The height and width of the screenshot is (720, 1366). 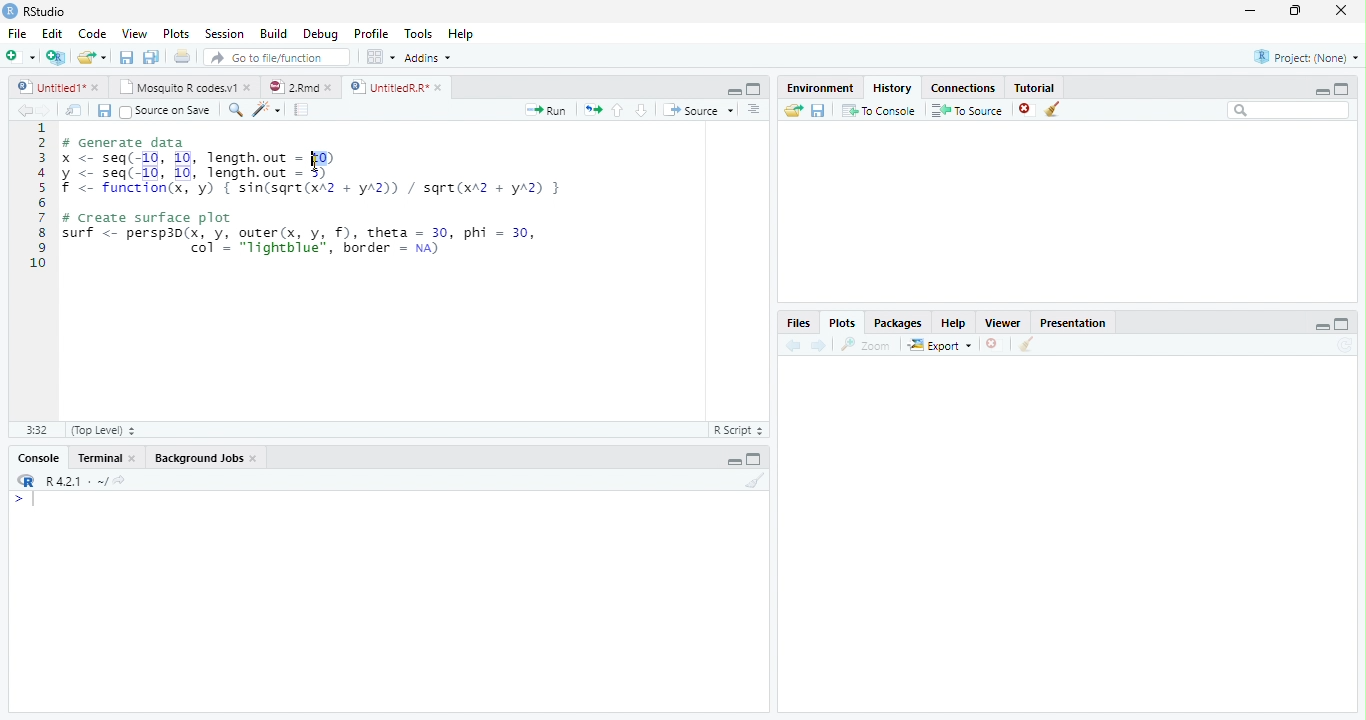 What do you see at coordinates (292, 86) in the screenshot?
I see `2.Rmd` at bounding box center [292, 86].